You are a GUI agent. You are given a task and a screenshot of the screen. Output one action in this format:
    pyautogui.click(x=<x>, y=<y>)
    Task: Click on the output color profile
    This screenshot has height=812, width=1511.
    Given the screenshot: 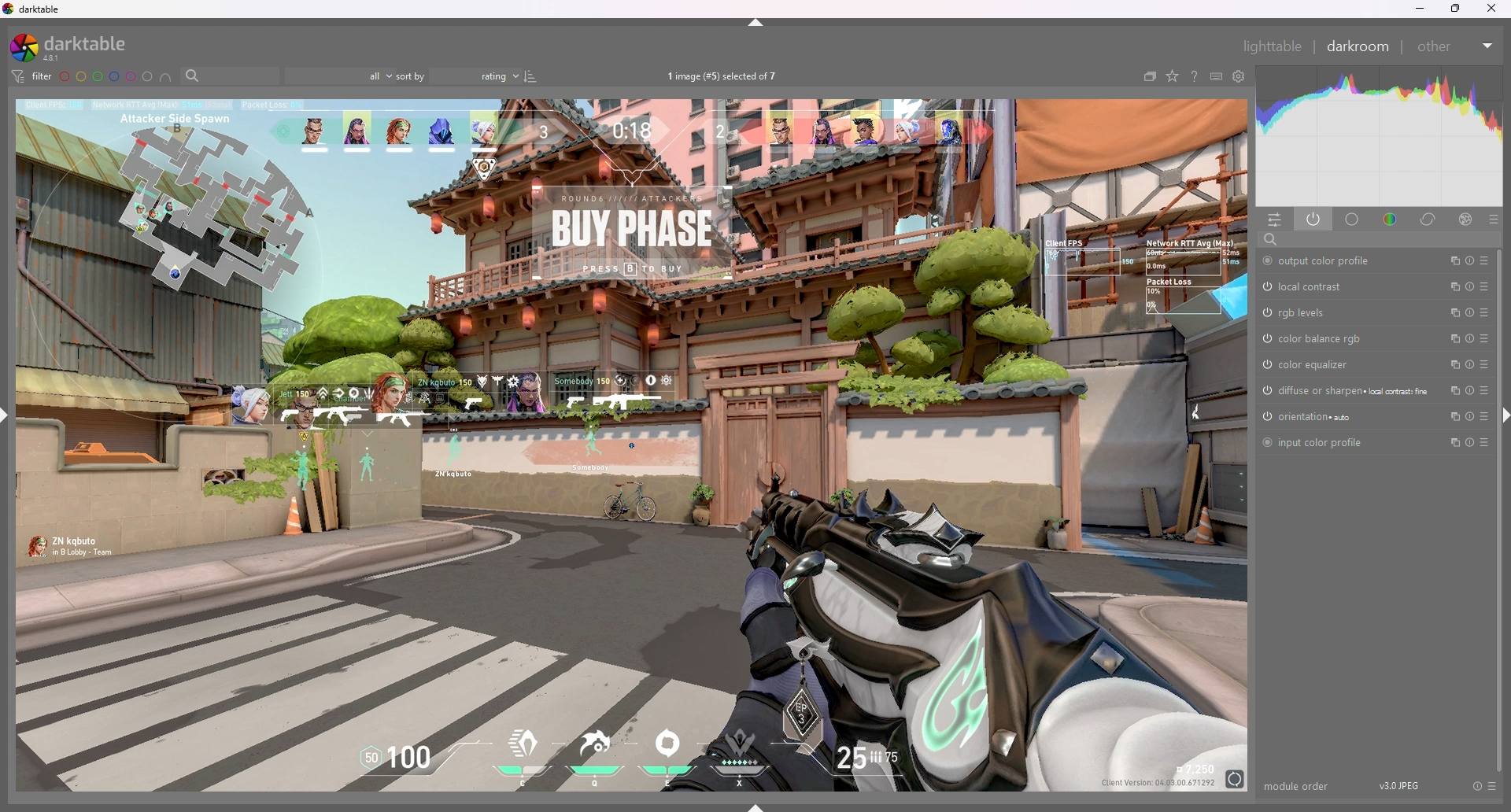 What is the action you would take?
    pyautogui.click(x=1322, y=260)
    